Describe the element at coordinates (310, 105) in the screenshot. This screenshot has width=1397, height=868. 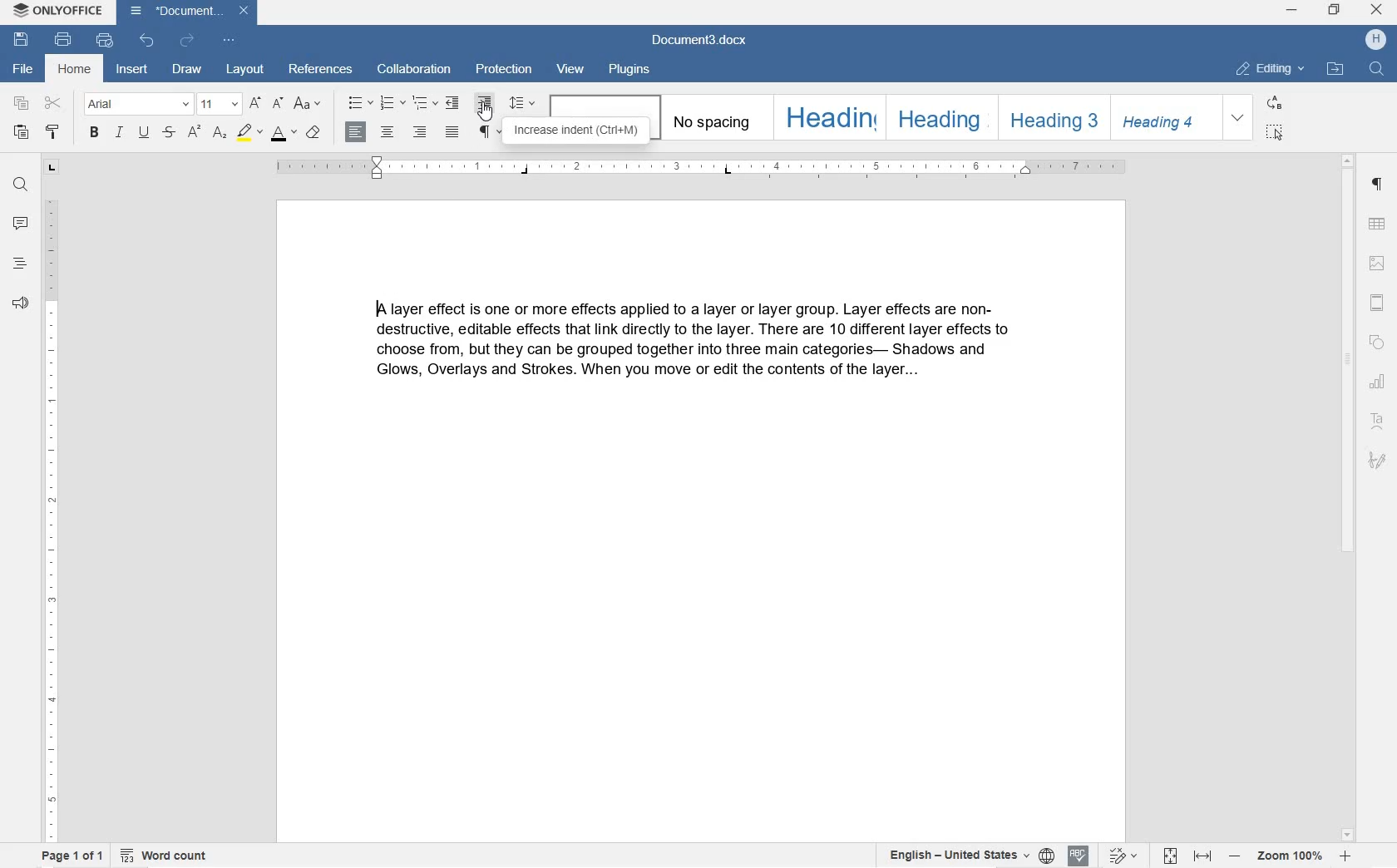
I see `CHANGE CASE` at that location.